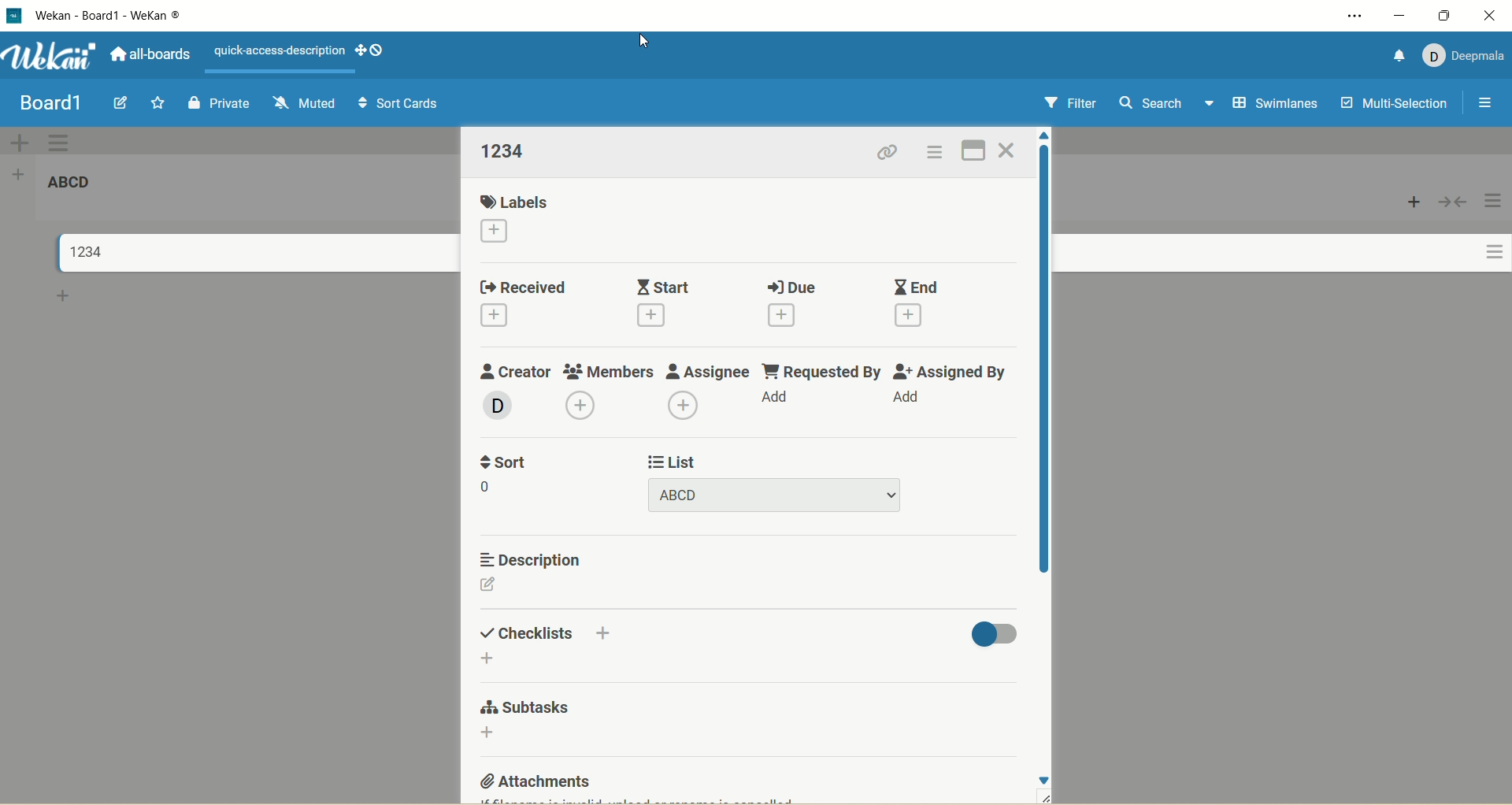 This screenshot has width=1512, height=805. What do you see at coordinates (69, 183) in the screenshot?
I see `title` at bounding box center [69, 183].